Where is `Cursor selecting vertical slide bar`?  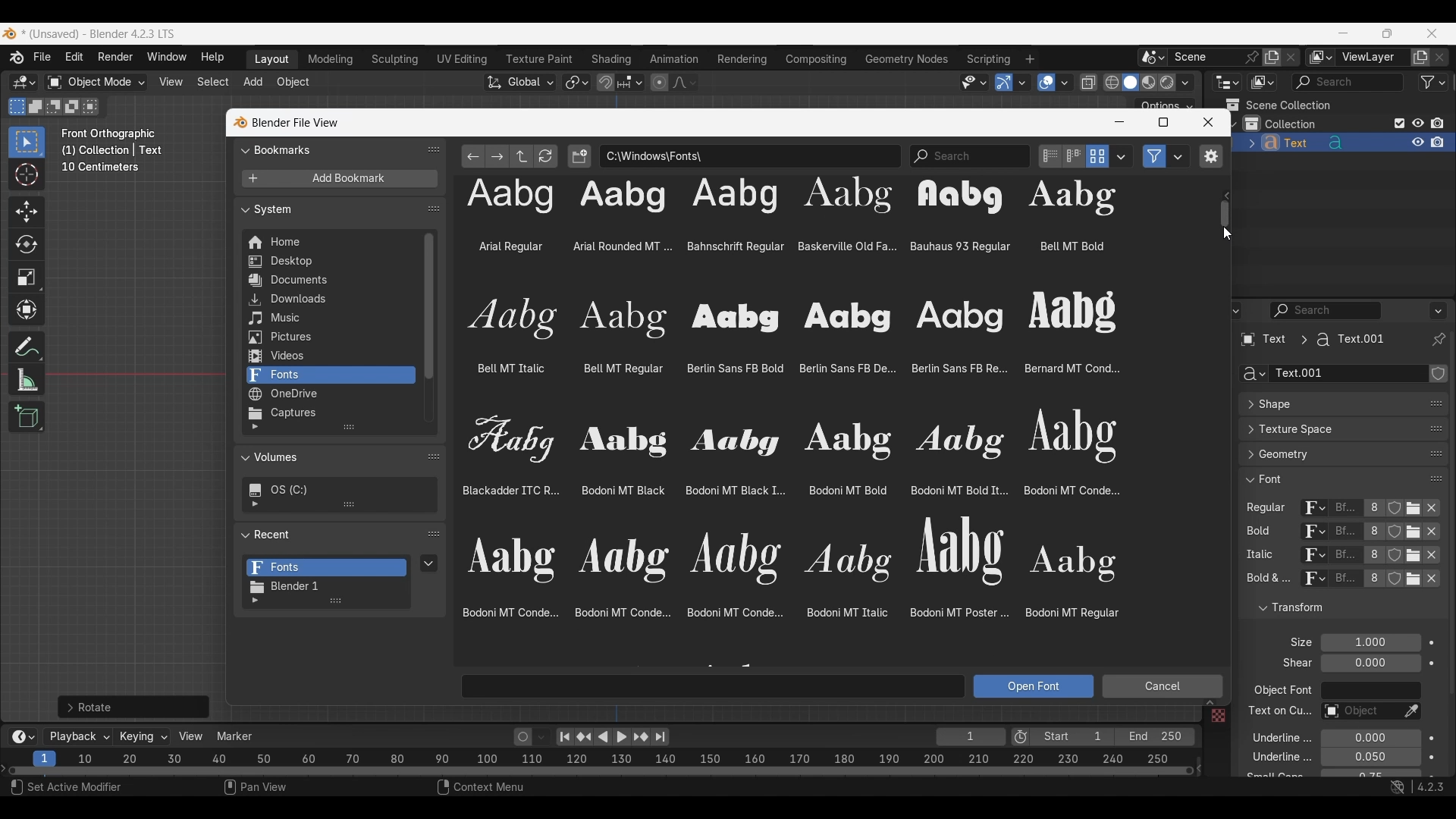 Cursor selecting vertical slide bar is located at coordinates (1227, 215).